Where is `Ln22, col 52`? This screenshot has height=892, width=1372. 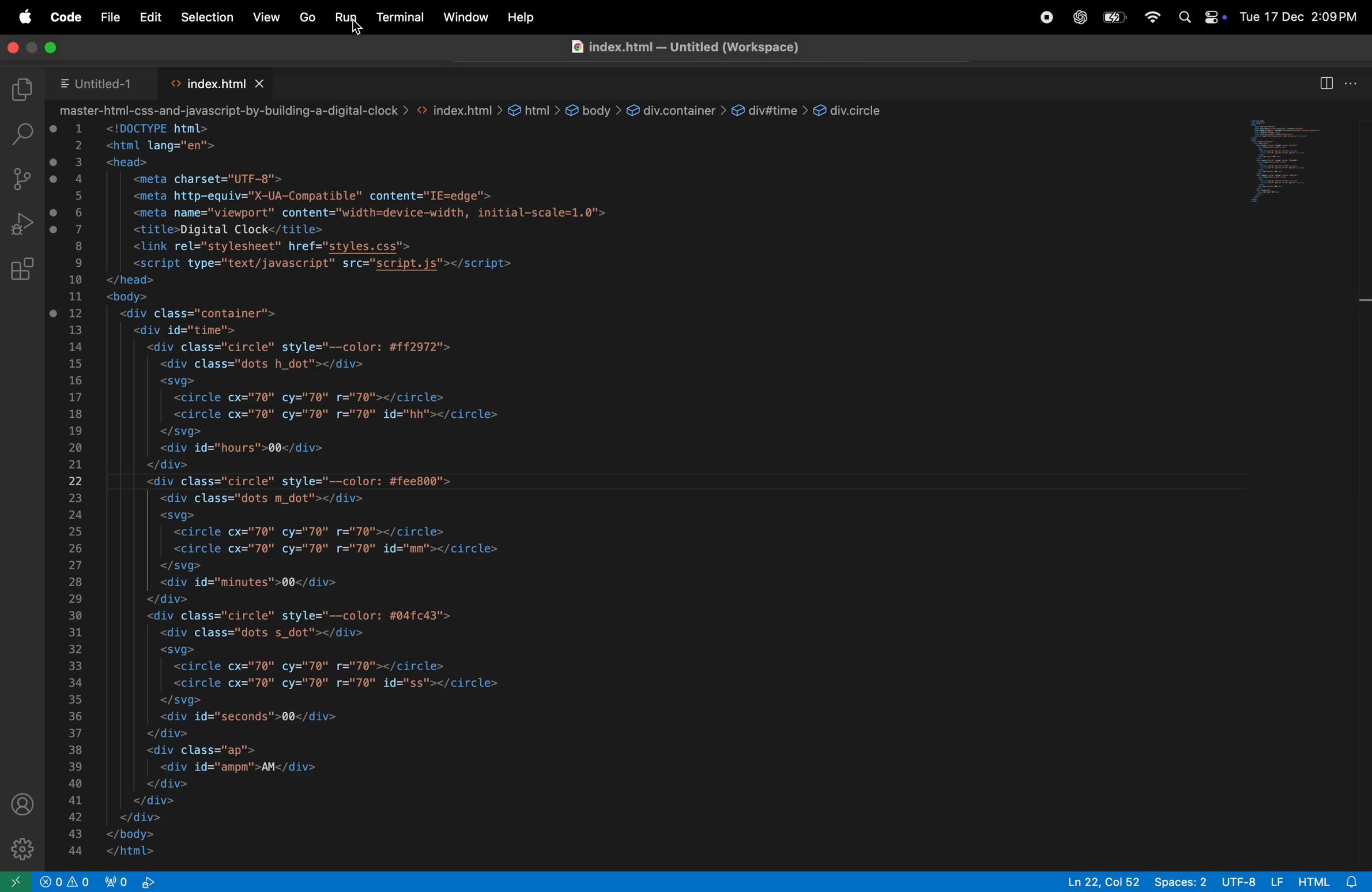 Ln22, col 52 is located at coordinates (1099, 880).